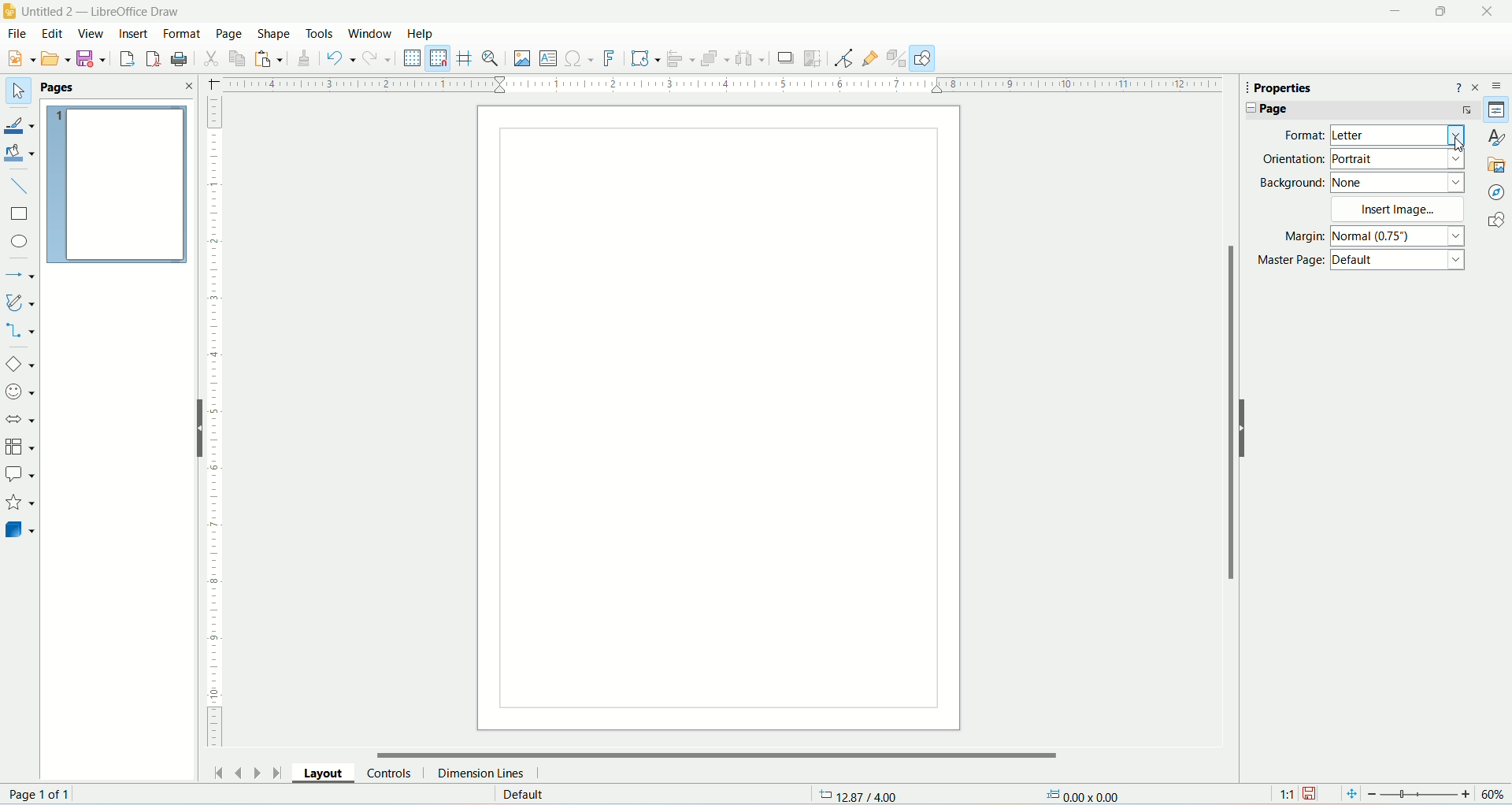 Image resolution: width=1512 pixels, height=805 pixels. Describe the element at coordinates (229, 33) in the screenshot. I see `page` at that location.